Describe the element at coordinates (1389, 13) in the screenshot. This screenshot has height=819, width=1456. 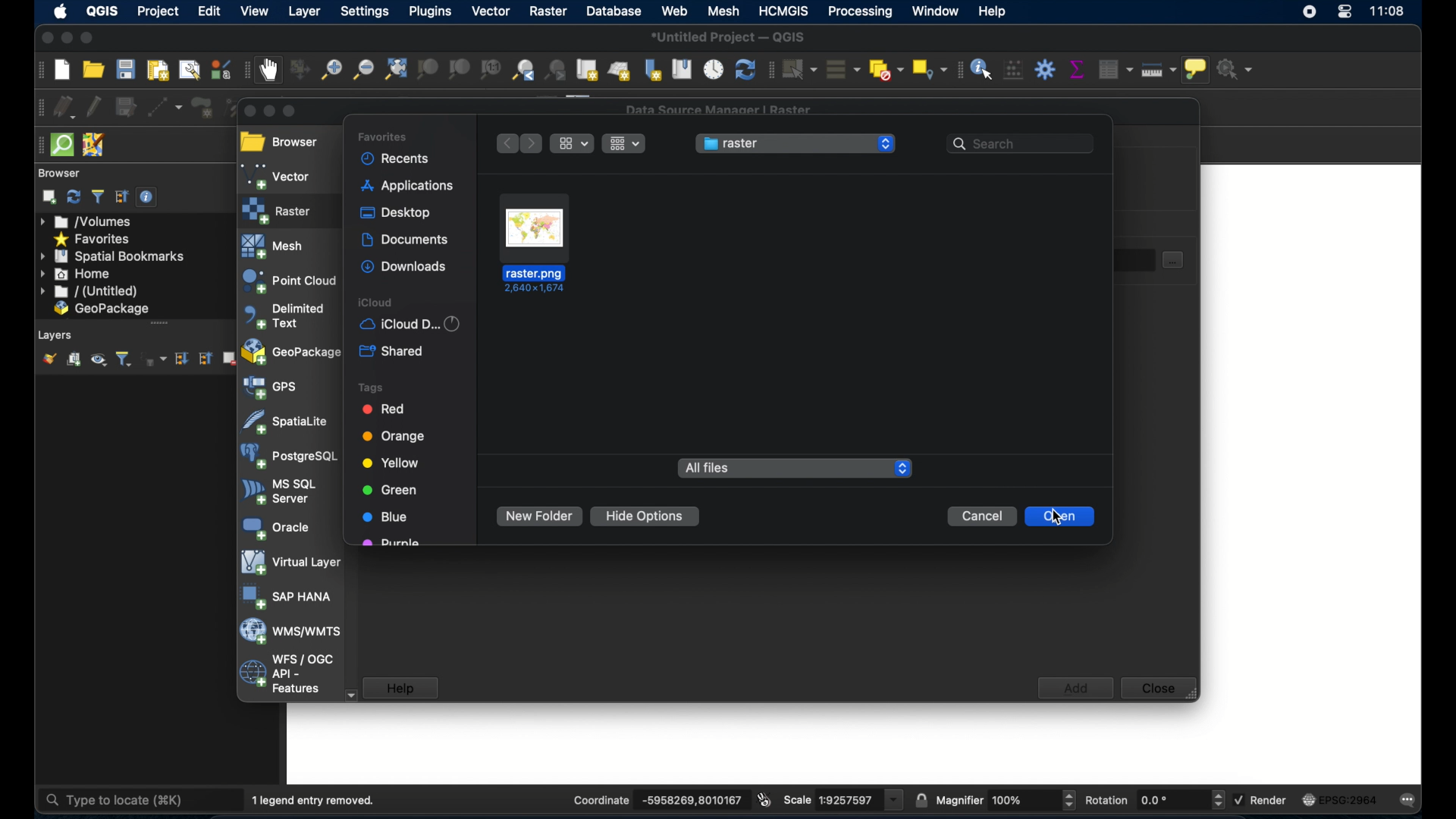
I see `time` at that location.